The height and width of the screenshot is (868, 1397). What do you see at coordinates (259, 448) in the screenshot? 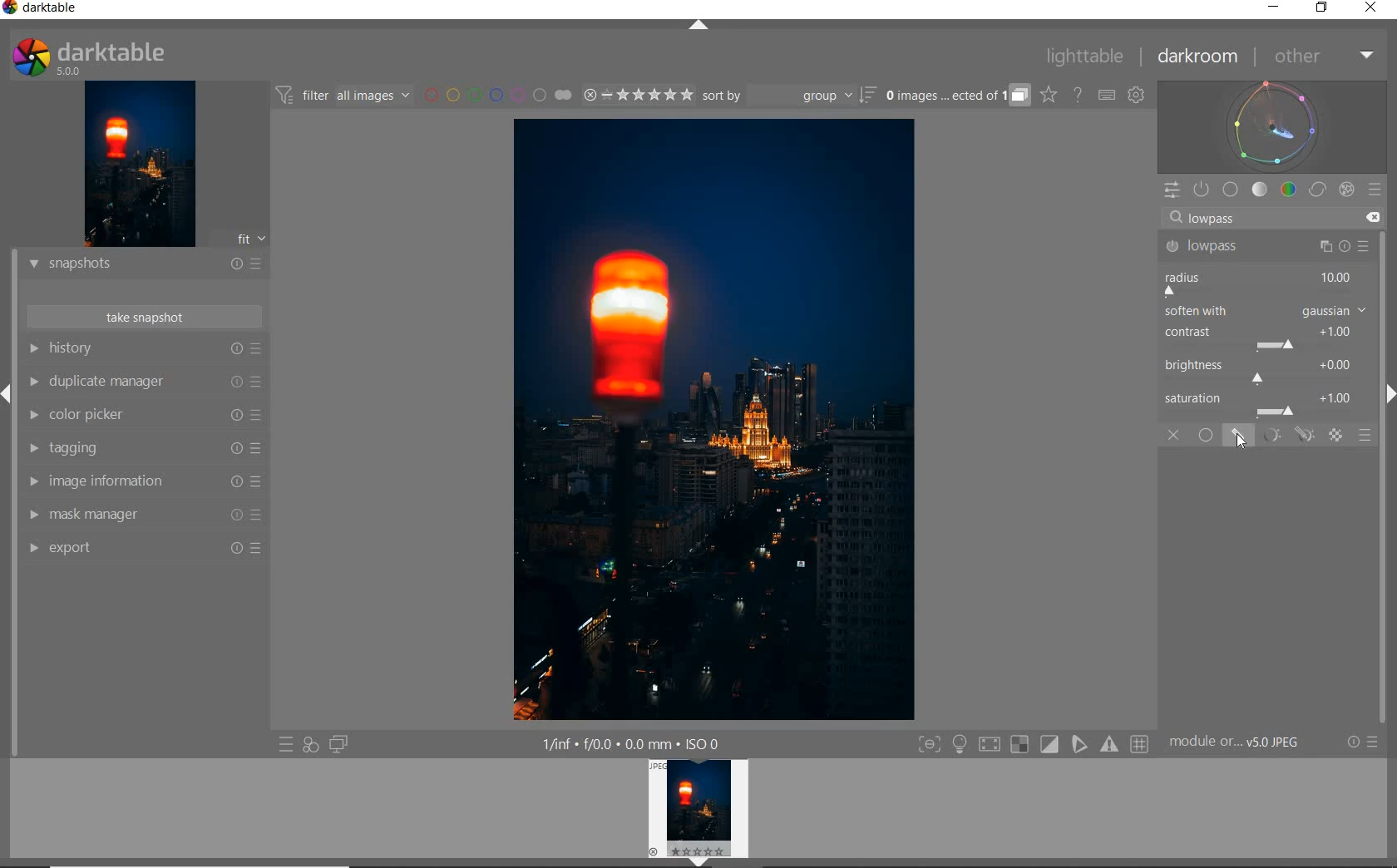
I see `Preset and reset` at bounding box center [259, 448].